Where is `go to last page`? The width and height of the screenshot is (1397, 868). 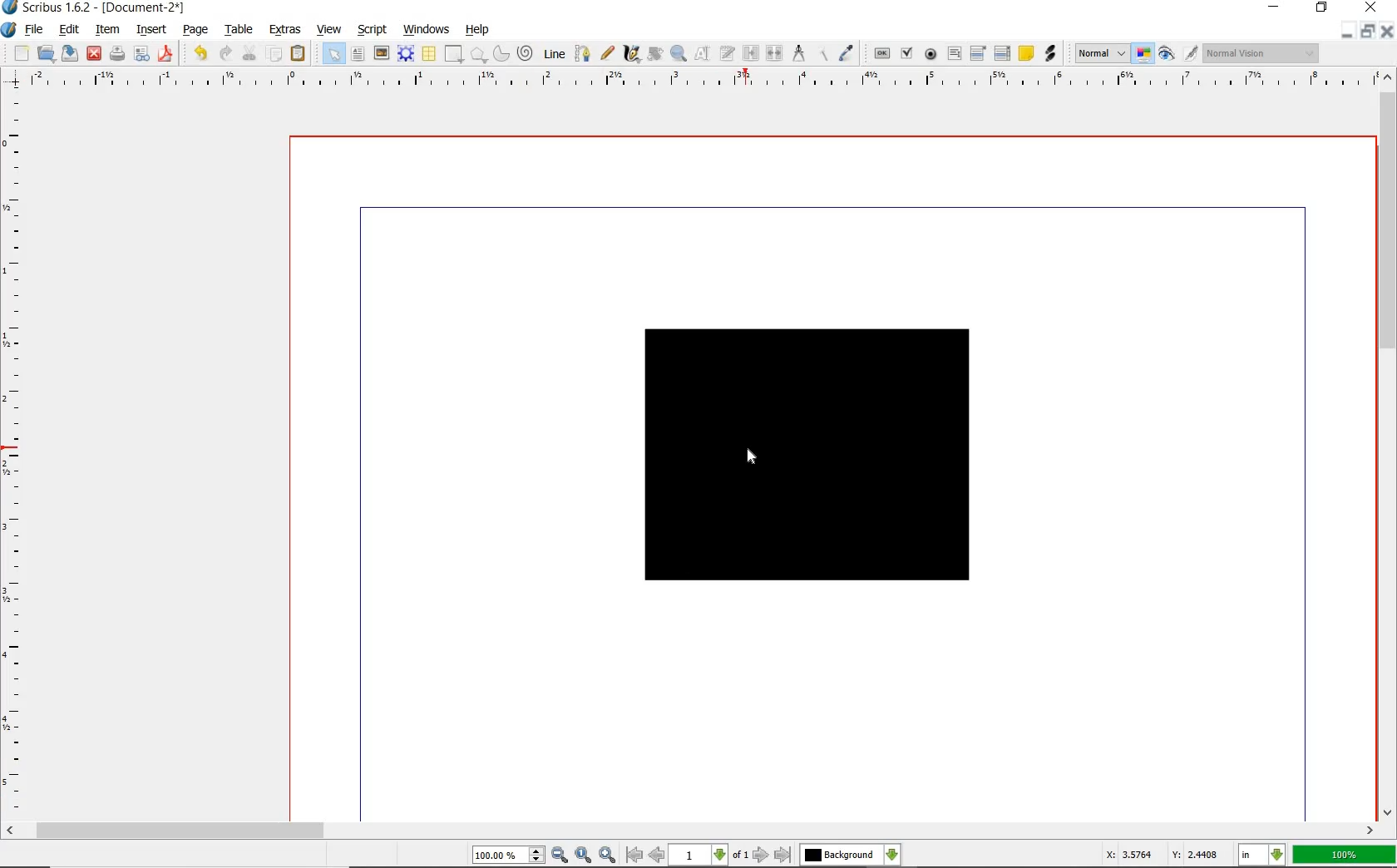 go to last page is located at coordinates (783, 854).